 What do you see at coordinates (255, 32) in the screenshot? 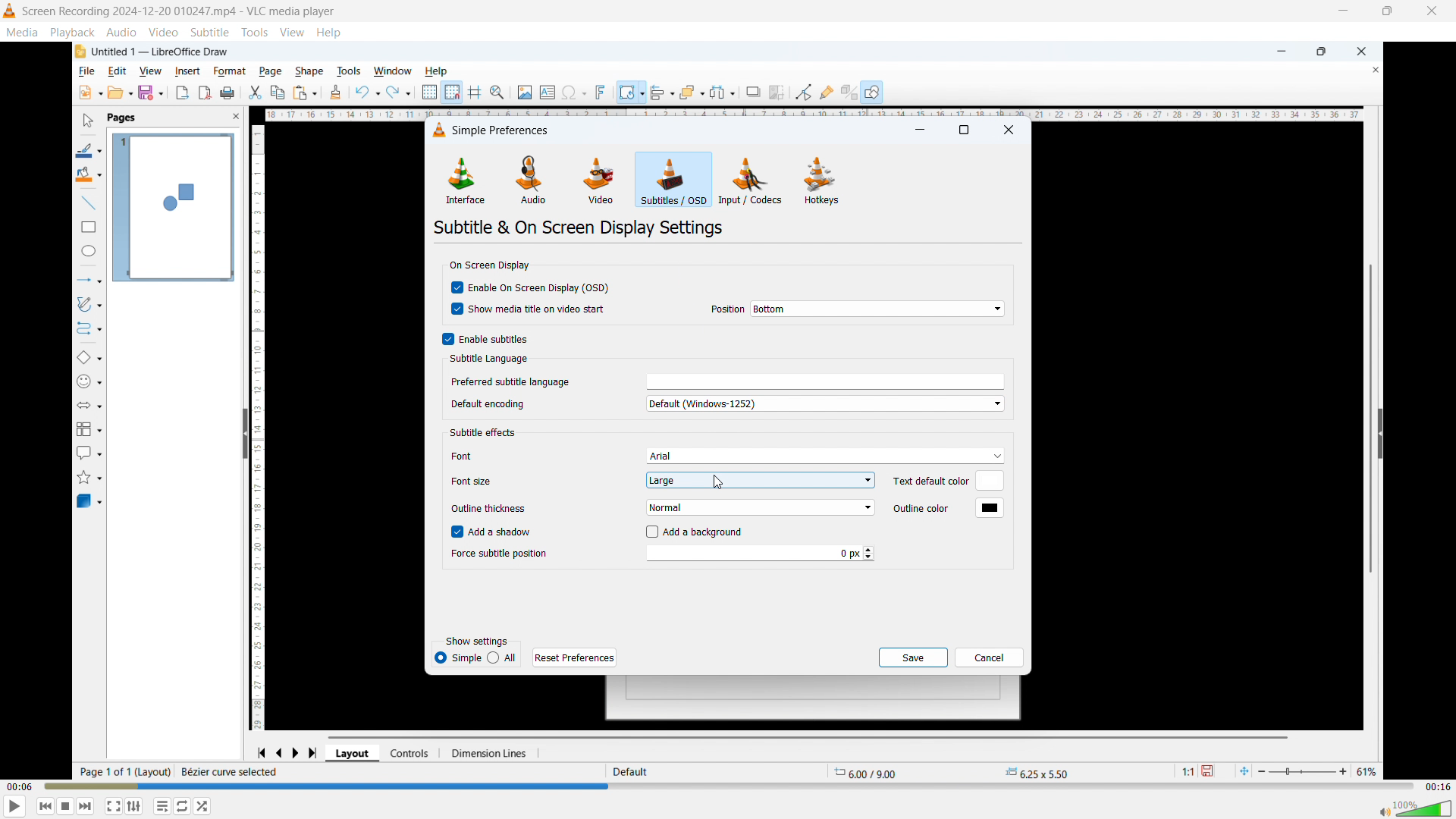
I see `Tools ` at bounding box center [255, 32].